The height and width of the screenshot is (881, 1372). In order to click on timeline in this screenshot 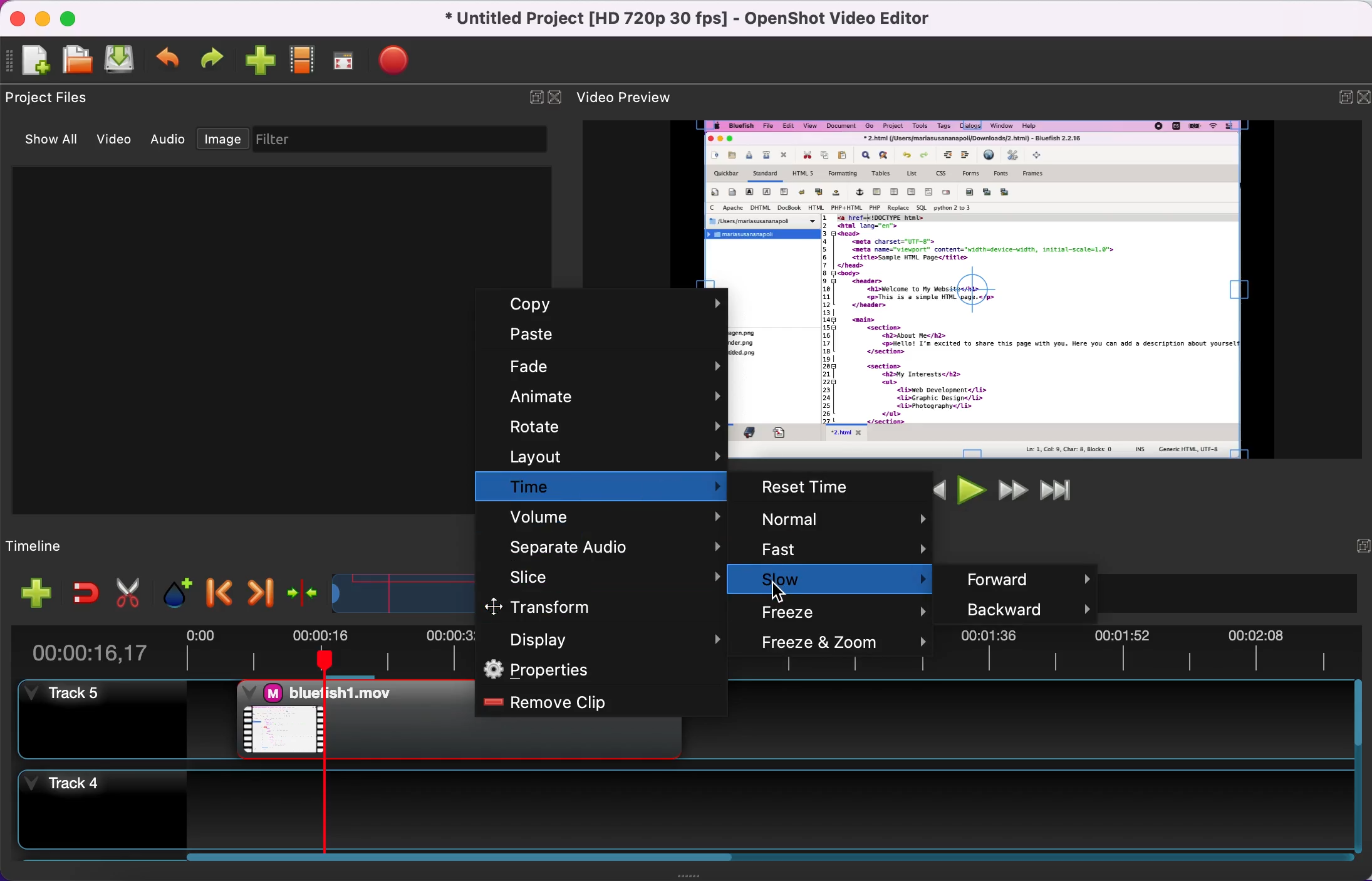, I will do `click(390, 590)`.